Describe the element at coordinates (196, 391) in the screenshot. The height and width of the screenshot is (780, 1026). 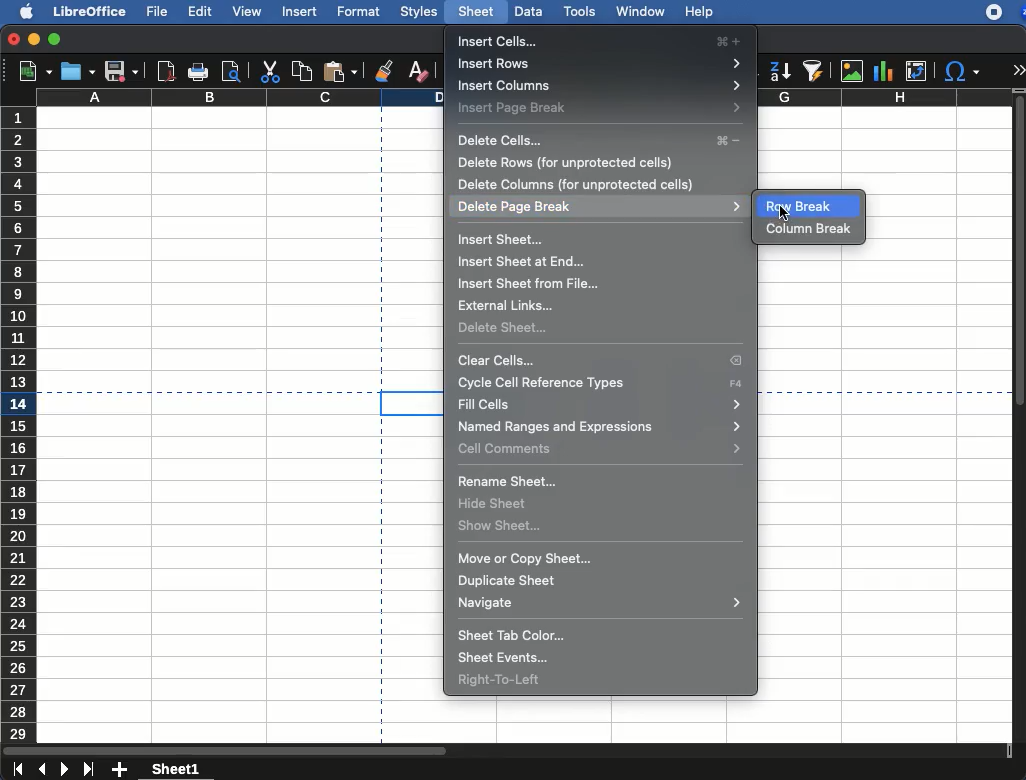
I see `page break` at that location.